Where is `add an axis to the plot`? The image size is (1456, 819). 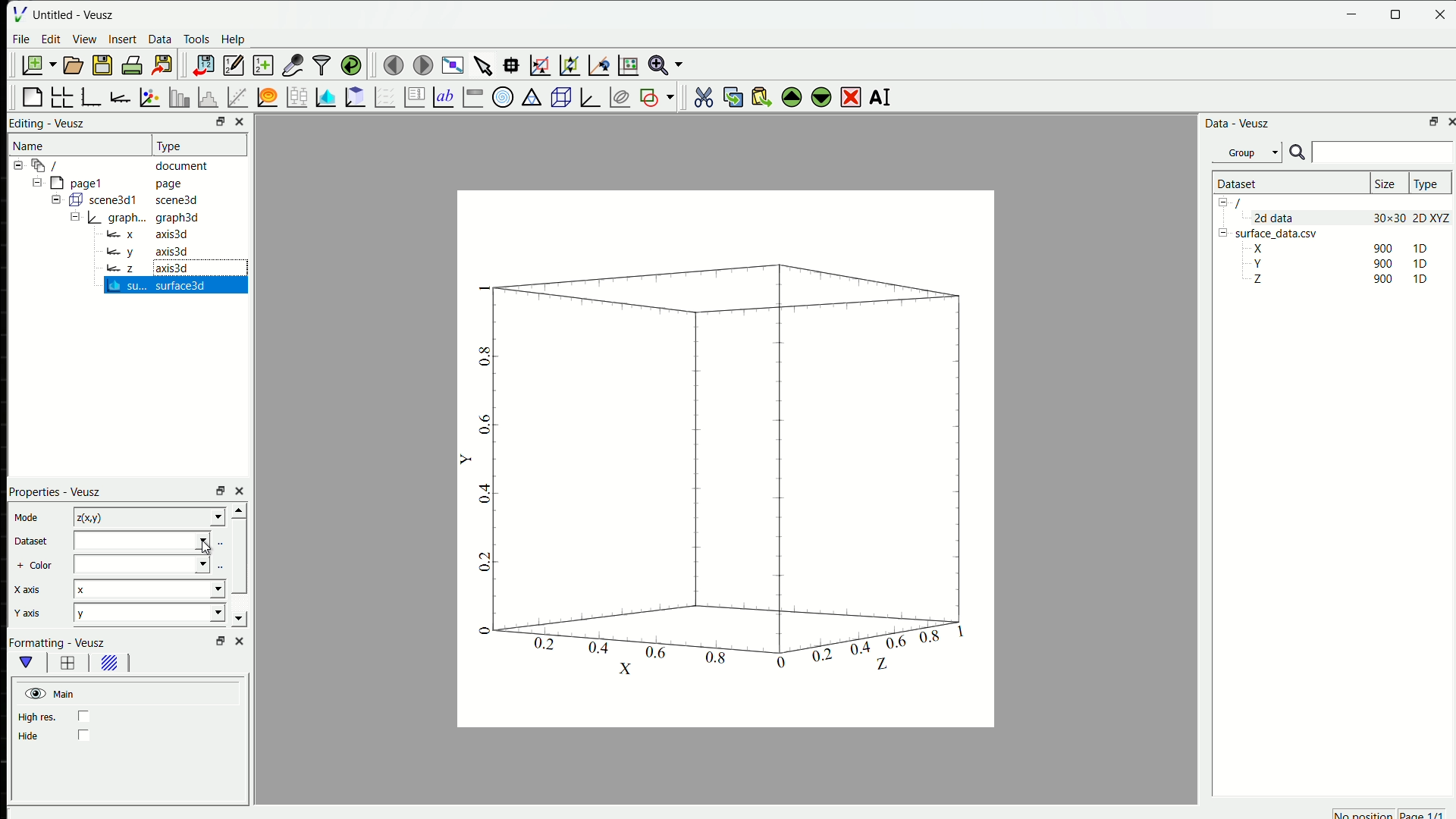 add an axis to the plot is located at coordinates (121, 96).